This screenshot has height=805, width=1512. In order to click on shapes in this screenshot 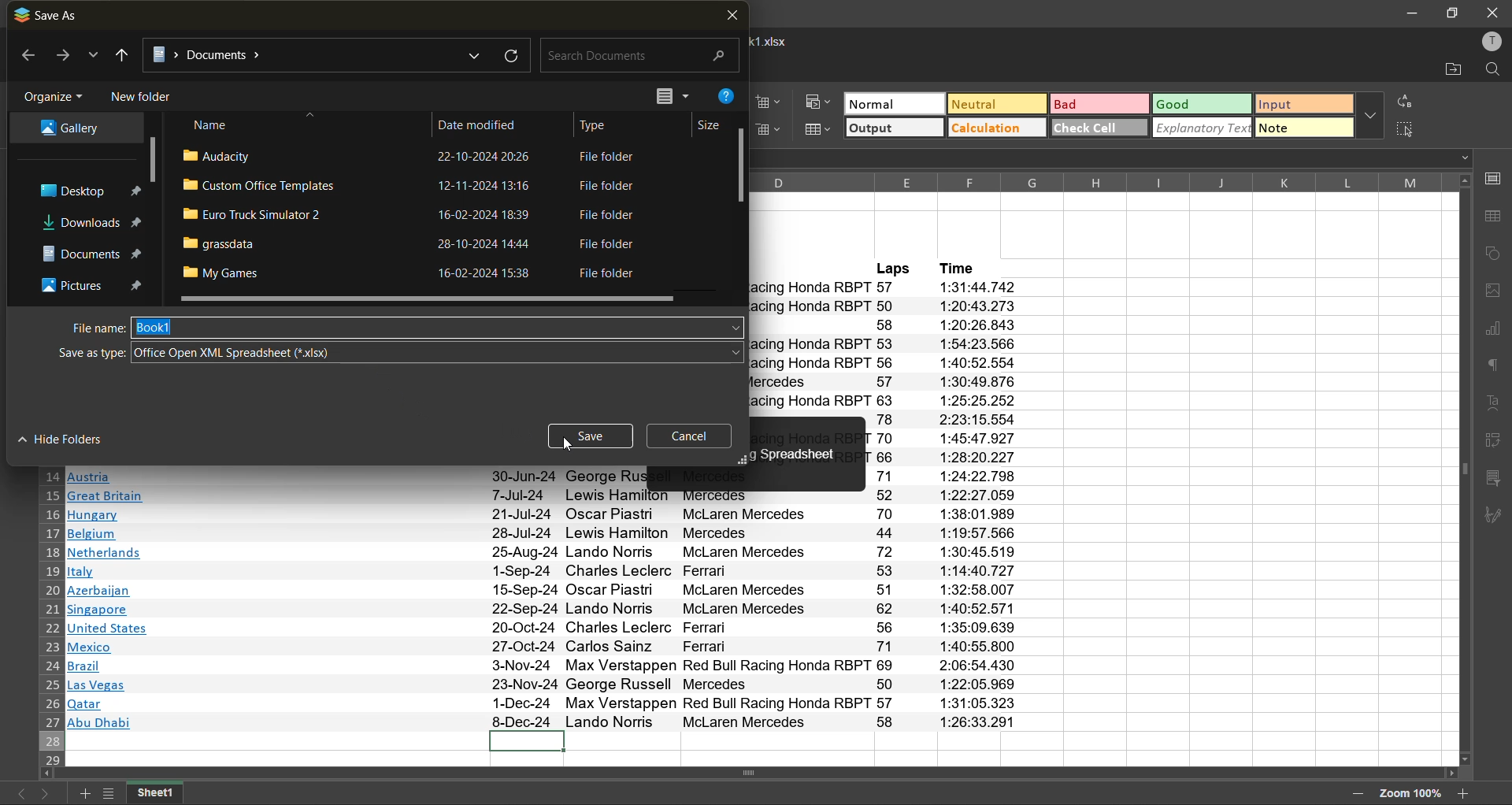, I will do `click(1496, 255)`.